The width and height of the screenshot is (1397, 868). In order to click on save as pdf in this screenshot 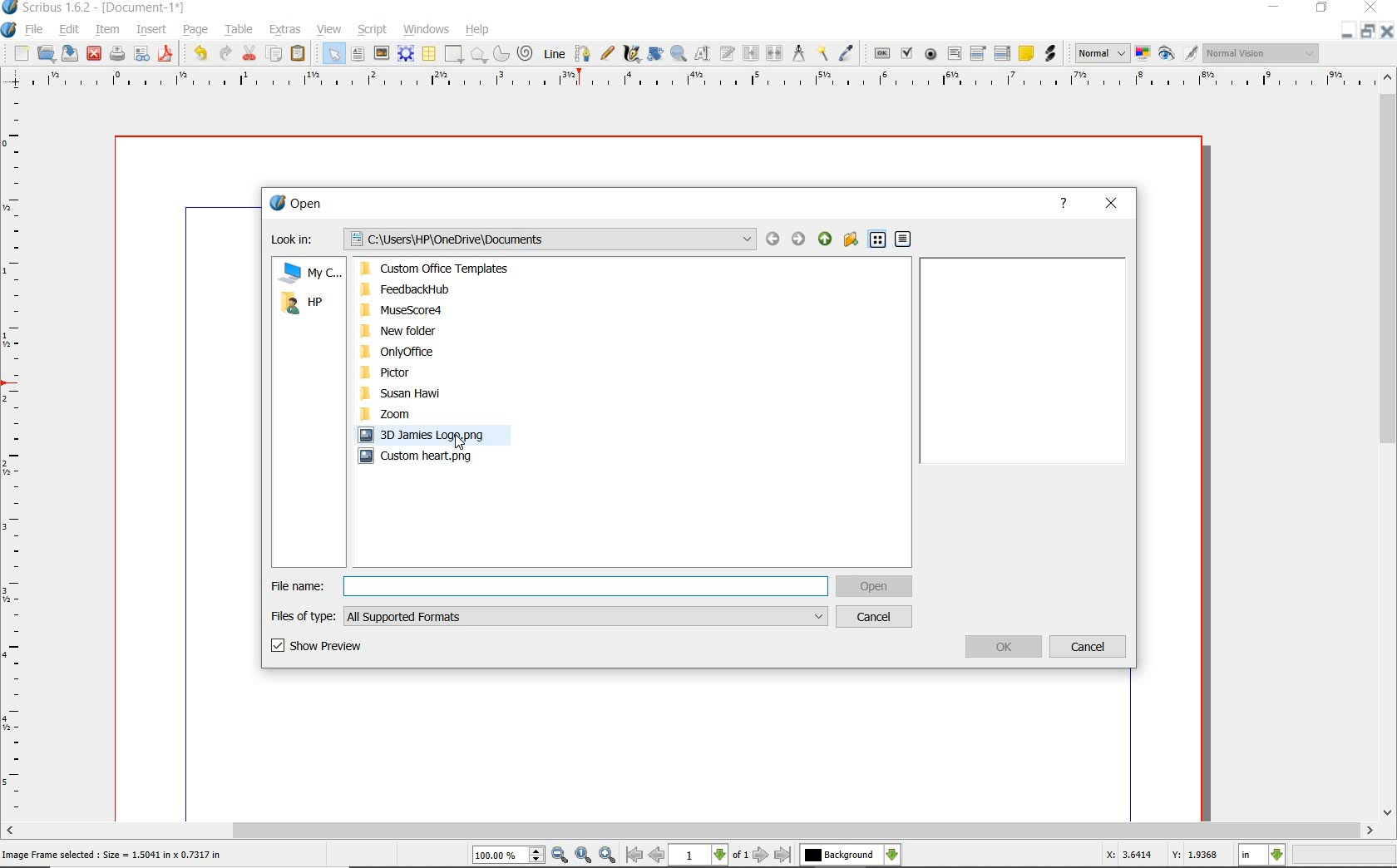, I will do `click(165, 53)`.